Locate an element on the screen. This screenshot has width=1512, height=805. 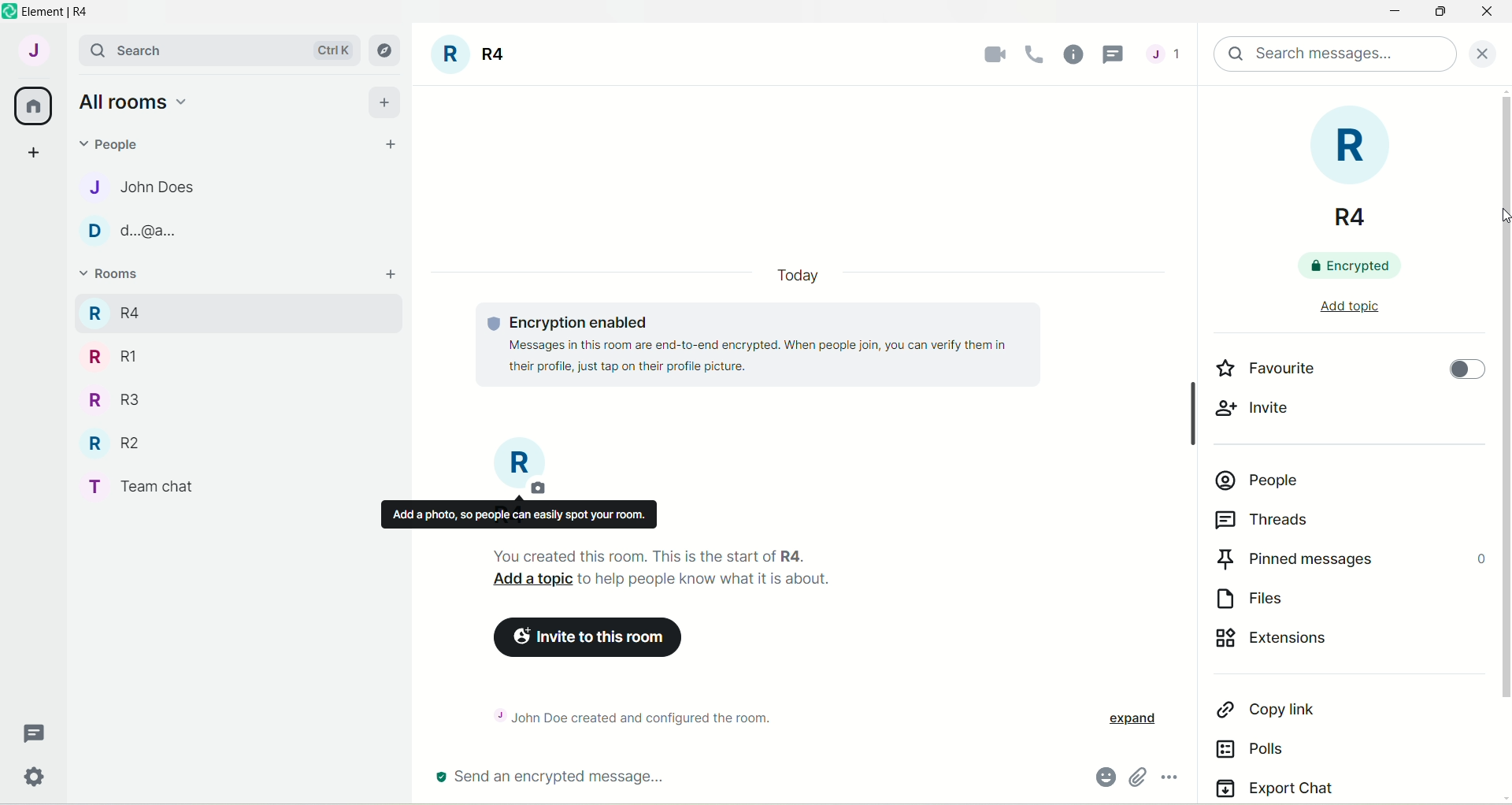
add is located at coordinates (385, 100).